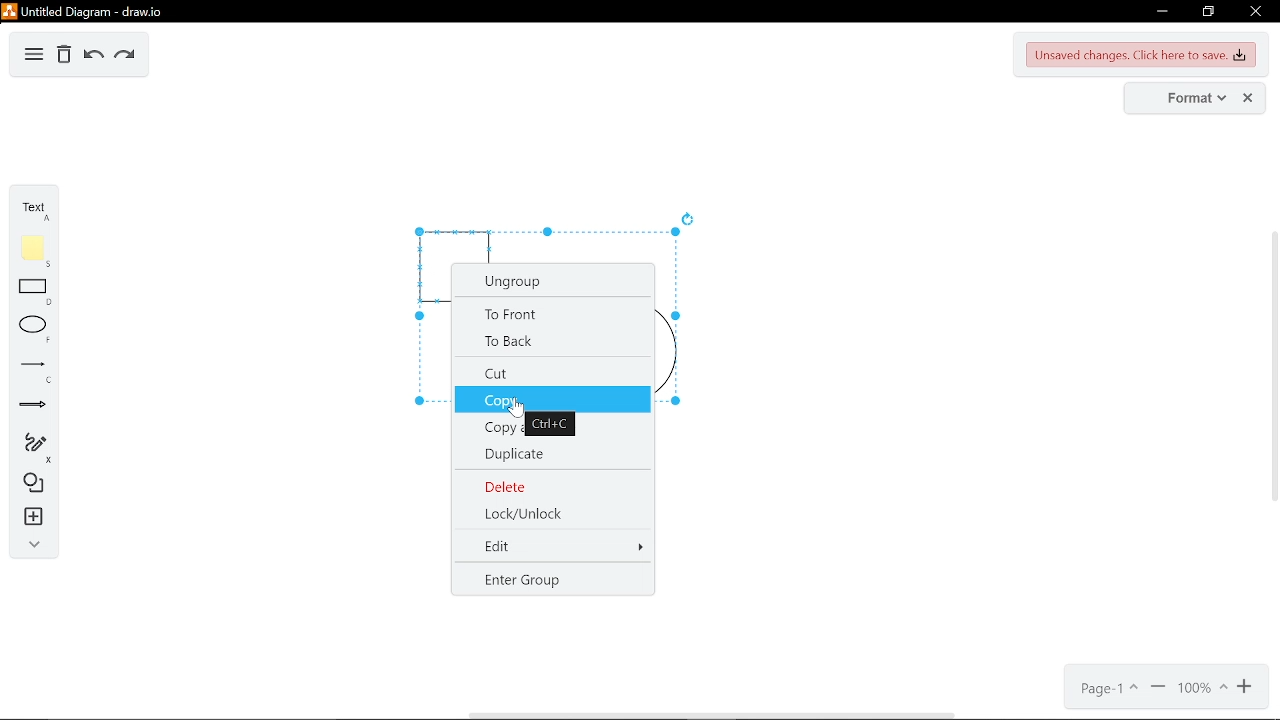 Image resolution: width=1280 pixels, height=720 pixels. What do you see at coordinates (562, 548) in the screenshot?
I see `edit` at bounding box center [562, 548].